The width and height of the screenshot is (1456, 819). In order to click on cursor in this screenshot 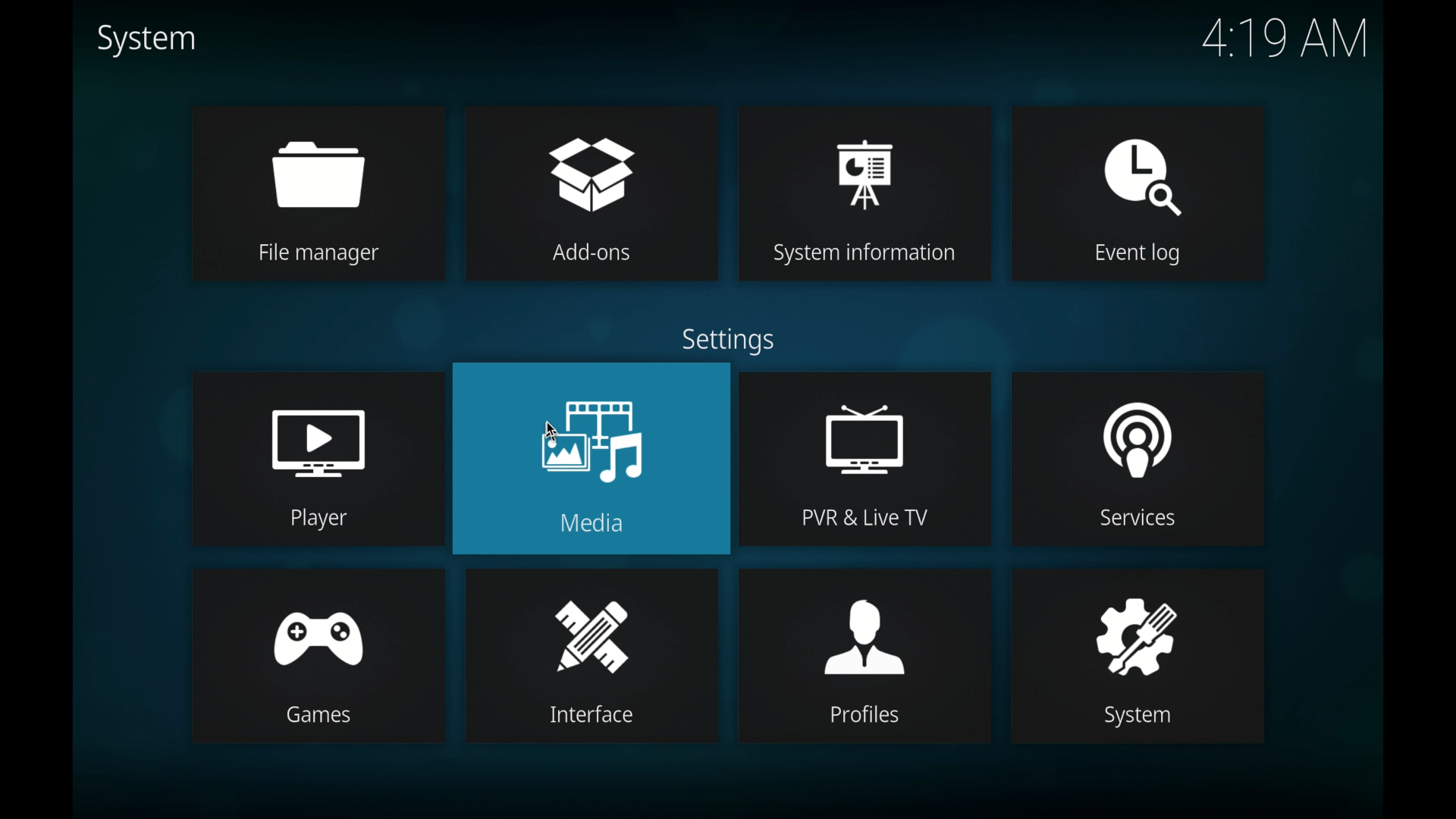, I will do `click(554, 430)`.